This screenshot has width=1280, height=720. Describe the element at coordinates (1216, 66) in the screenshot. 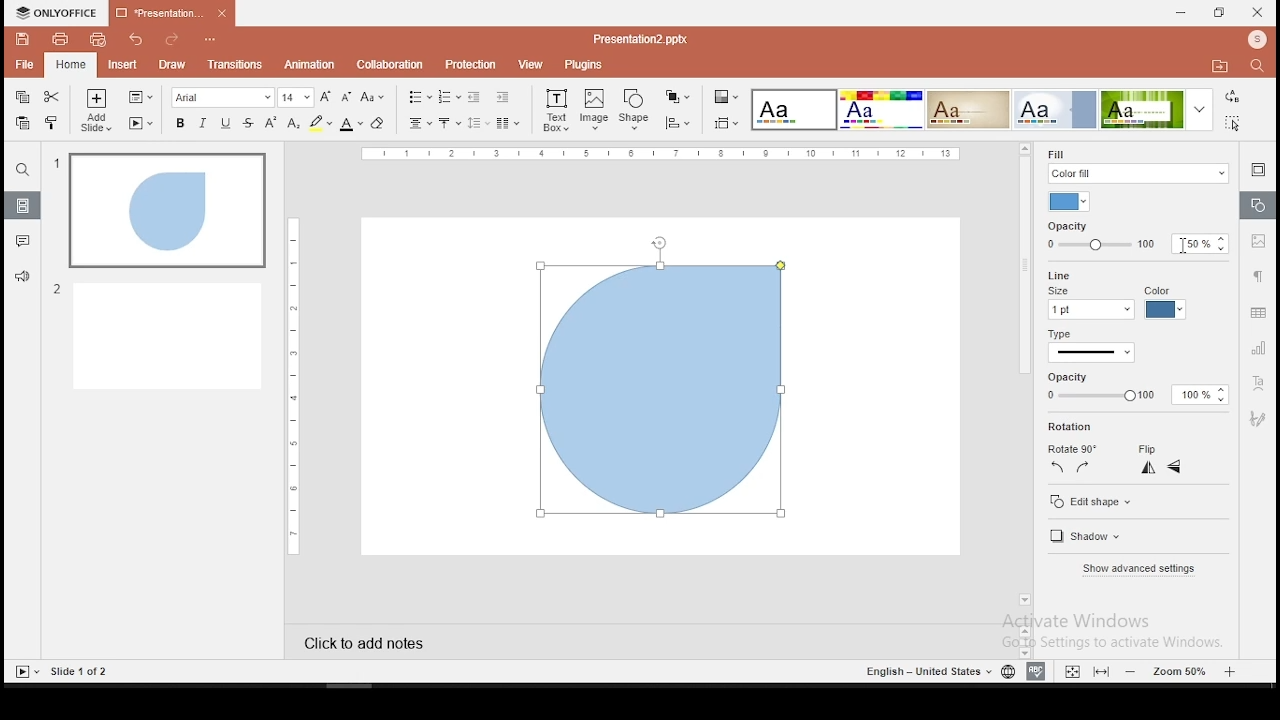

I see `open file location` at that location.